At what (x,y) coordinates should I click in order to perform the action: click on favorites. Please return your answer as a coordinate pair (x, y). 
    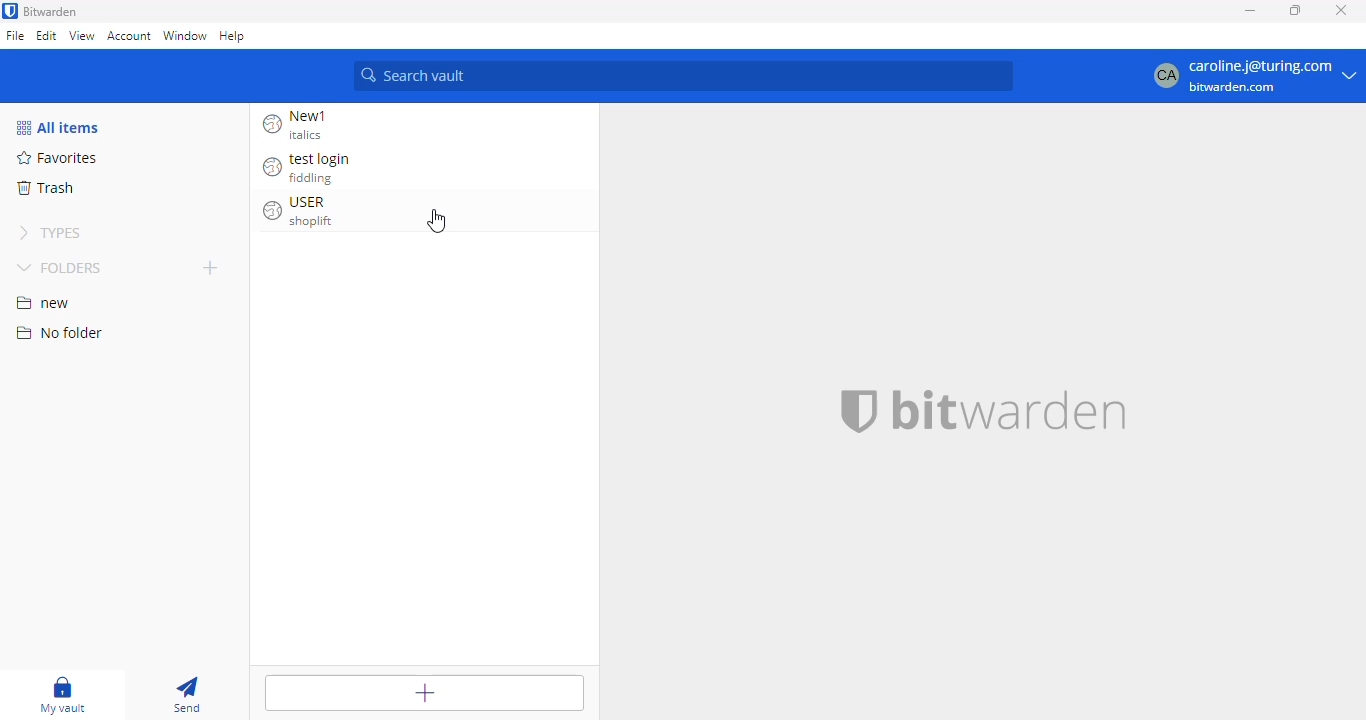
    Looking at the image, I should click on (58, 158).